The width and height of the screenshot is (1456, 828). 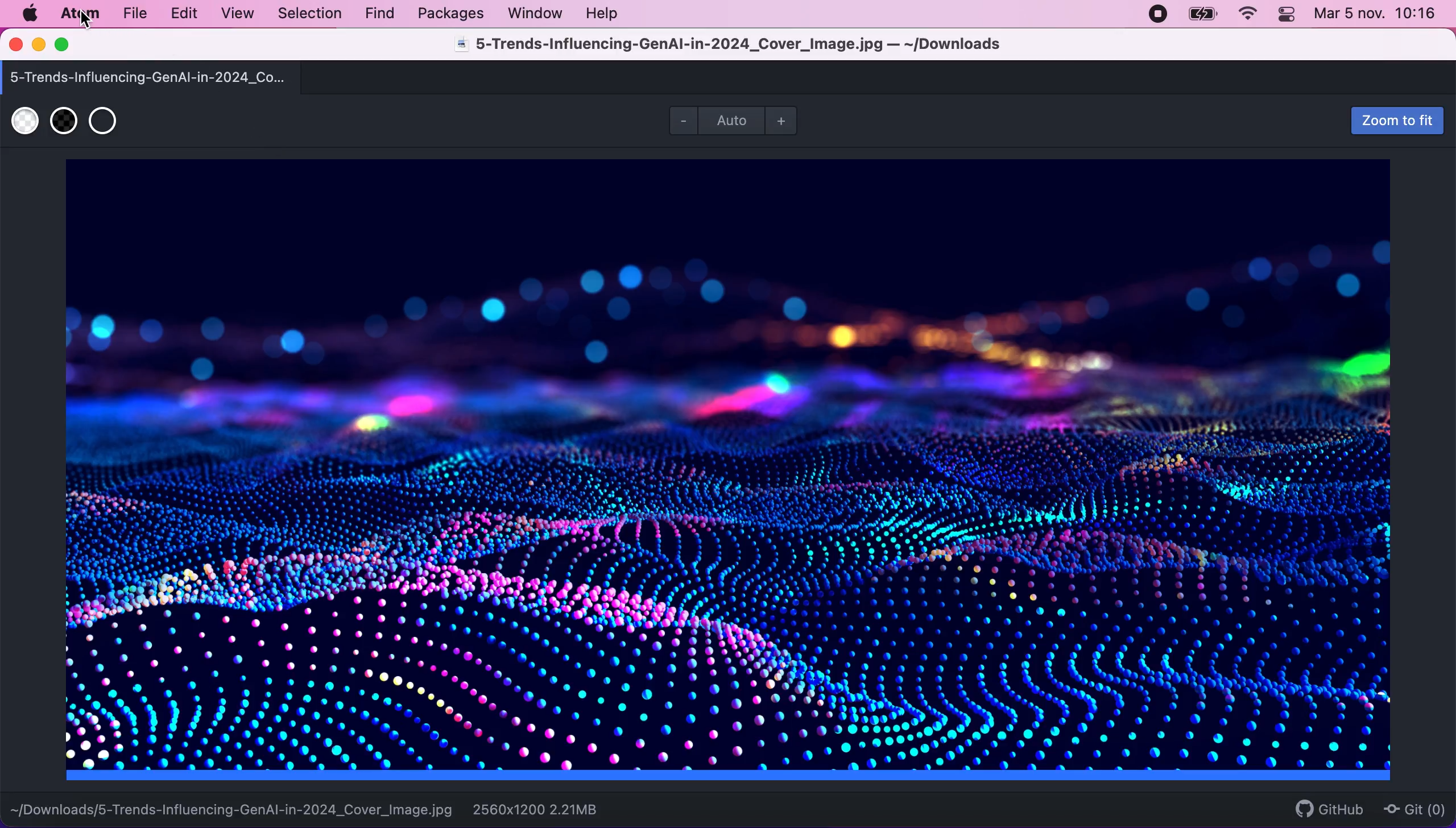 What do you see at coordinates (134, 14) in the screenshot?
I see `file` at bounding box center [134, 14].